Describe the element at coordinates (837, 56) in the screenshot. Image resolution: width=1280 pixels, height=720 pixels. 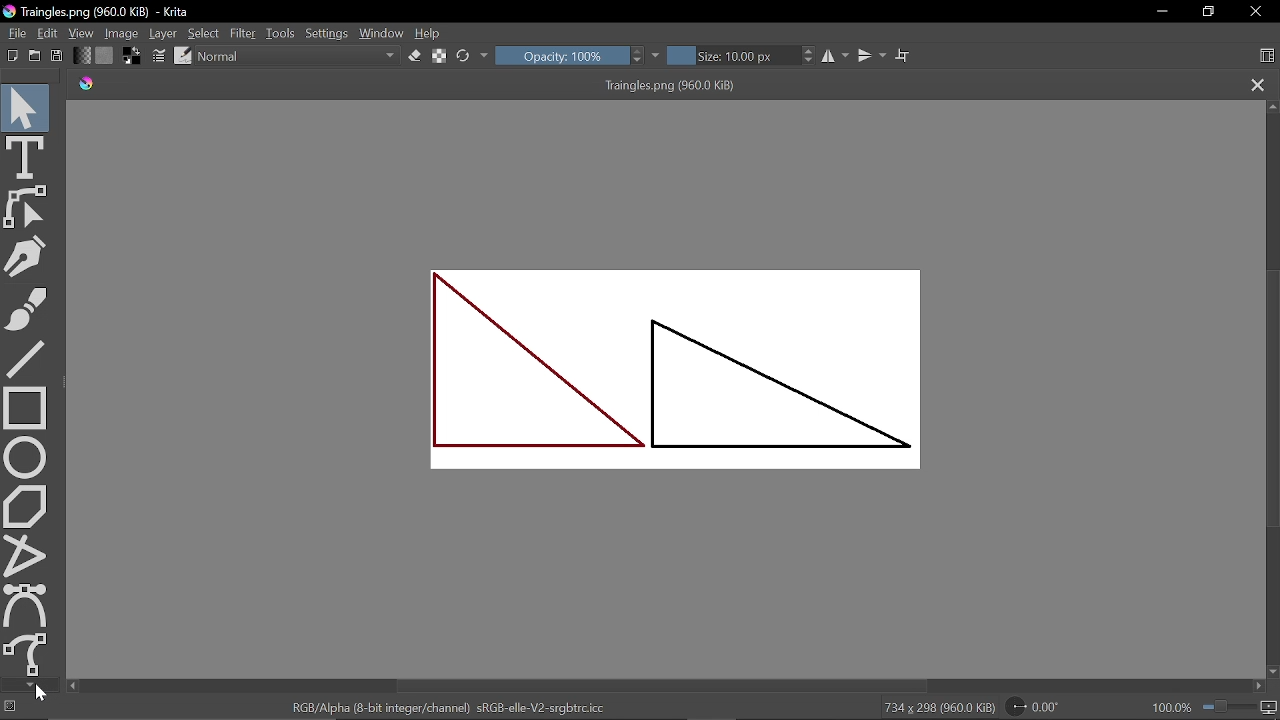
I see `Horizontal mirror tool` at that location.